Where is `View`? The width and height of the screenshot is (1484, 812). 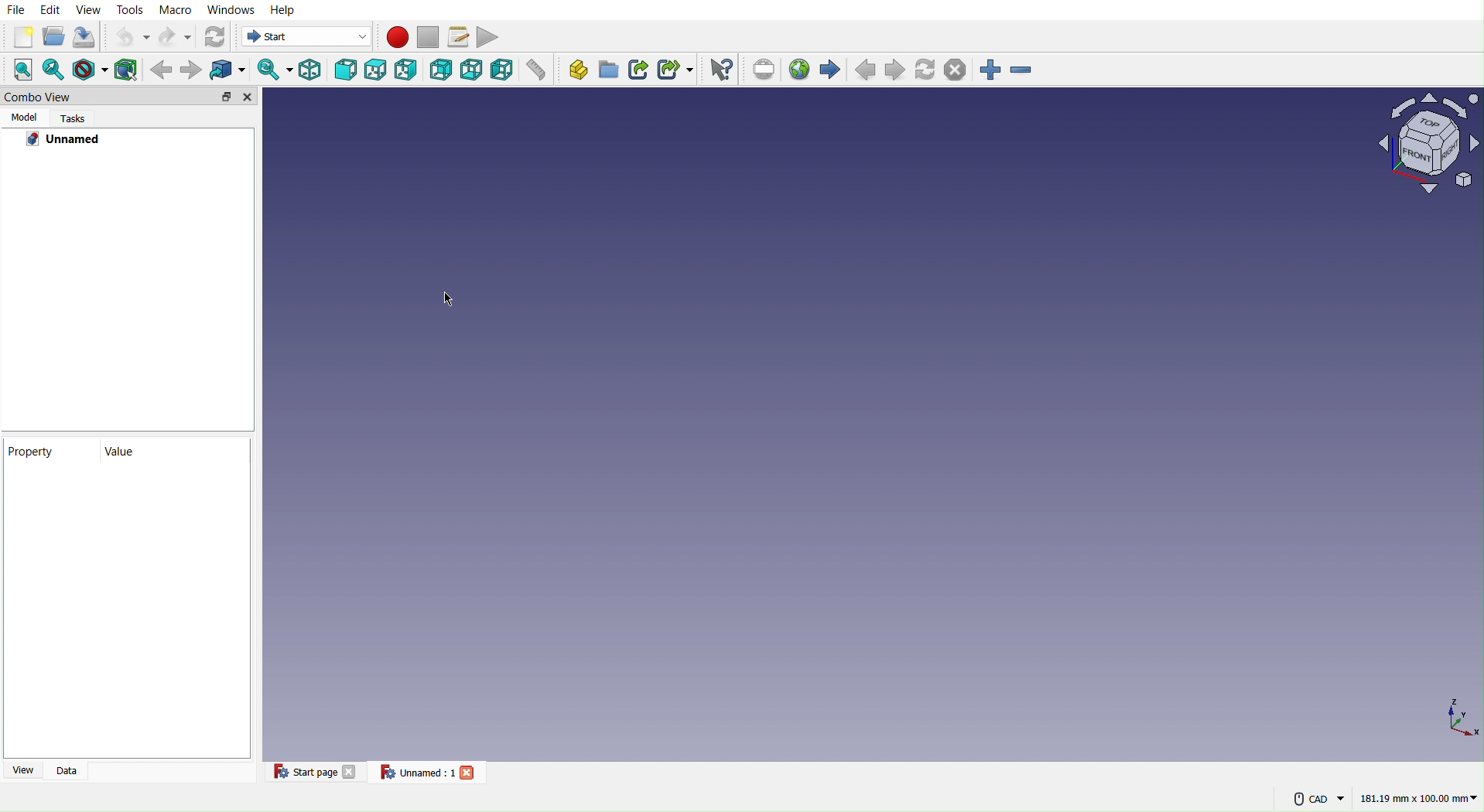 View is located at coordinates (90, 10).